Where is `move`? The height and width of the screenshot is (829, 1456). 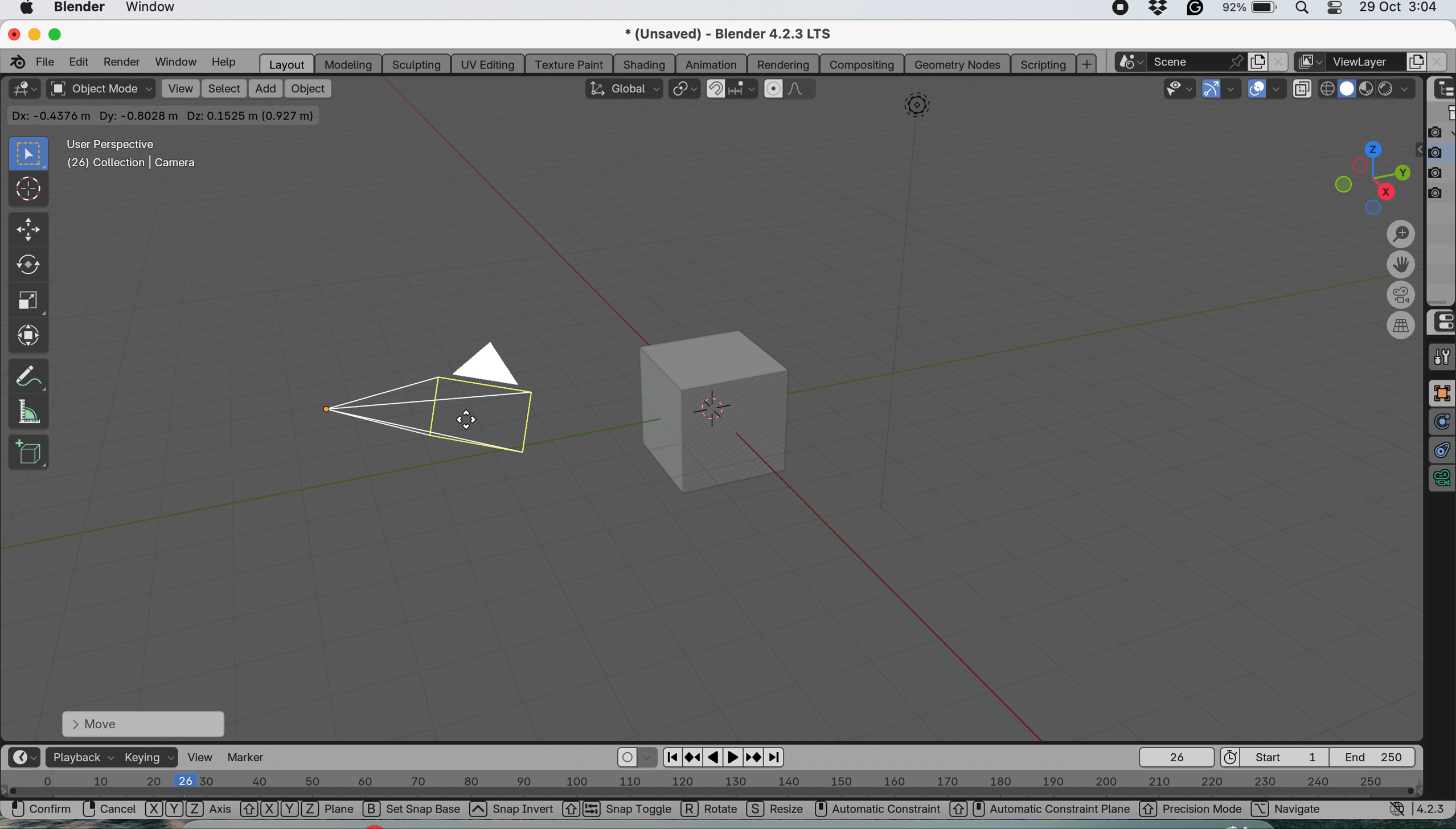
move is located at coordinates (142, 723).